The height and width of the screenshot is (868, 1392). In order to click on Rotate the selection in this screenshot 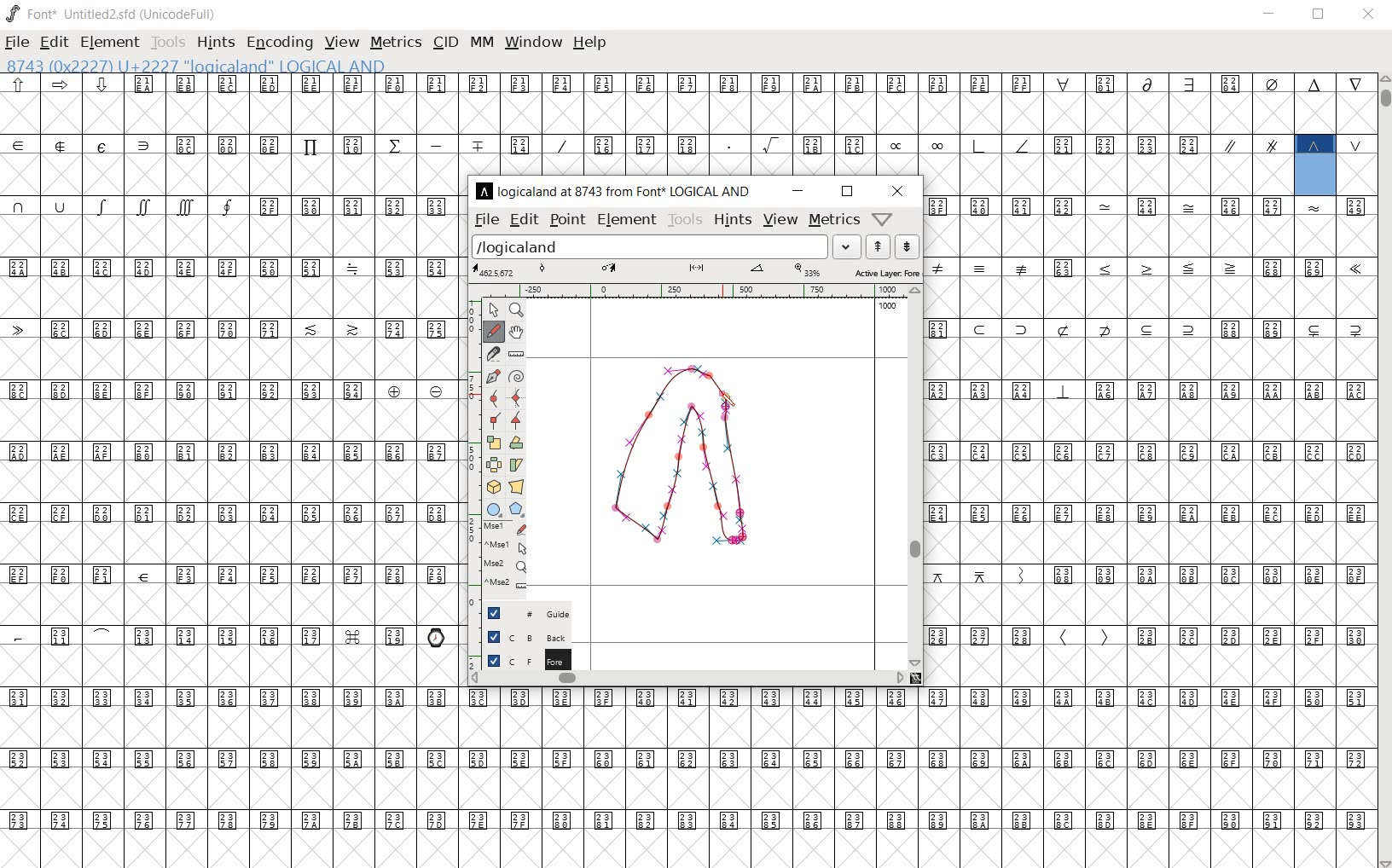, I will do `click(516, 465)`.